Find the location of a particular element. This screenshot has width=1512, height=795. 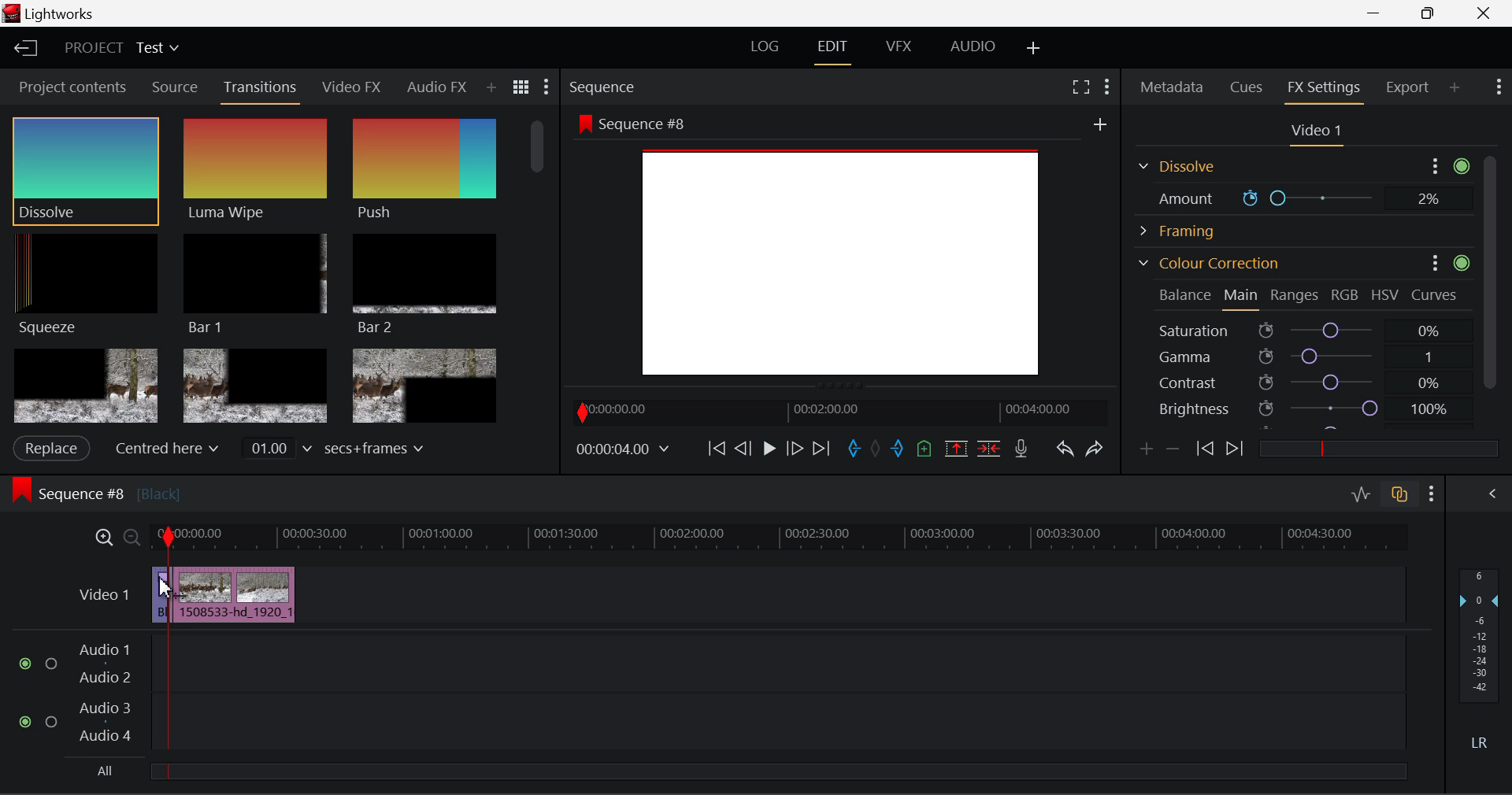

Background changed is located at coordinates (841, 248).